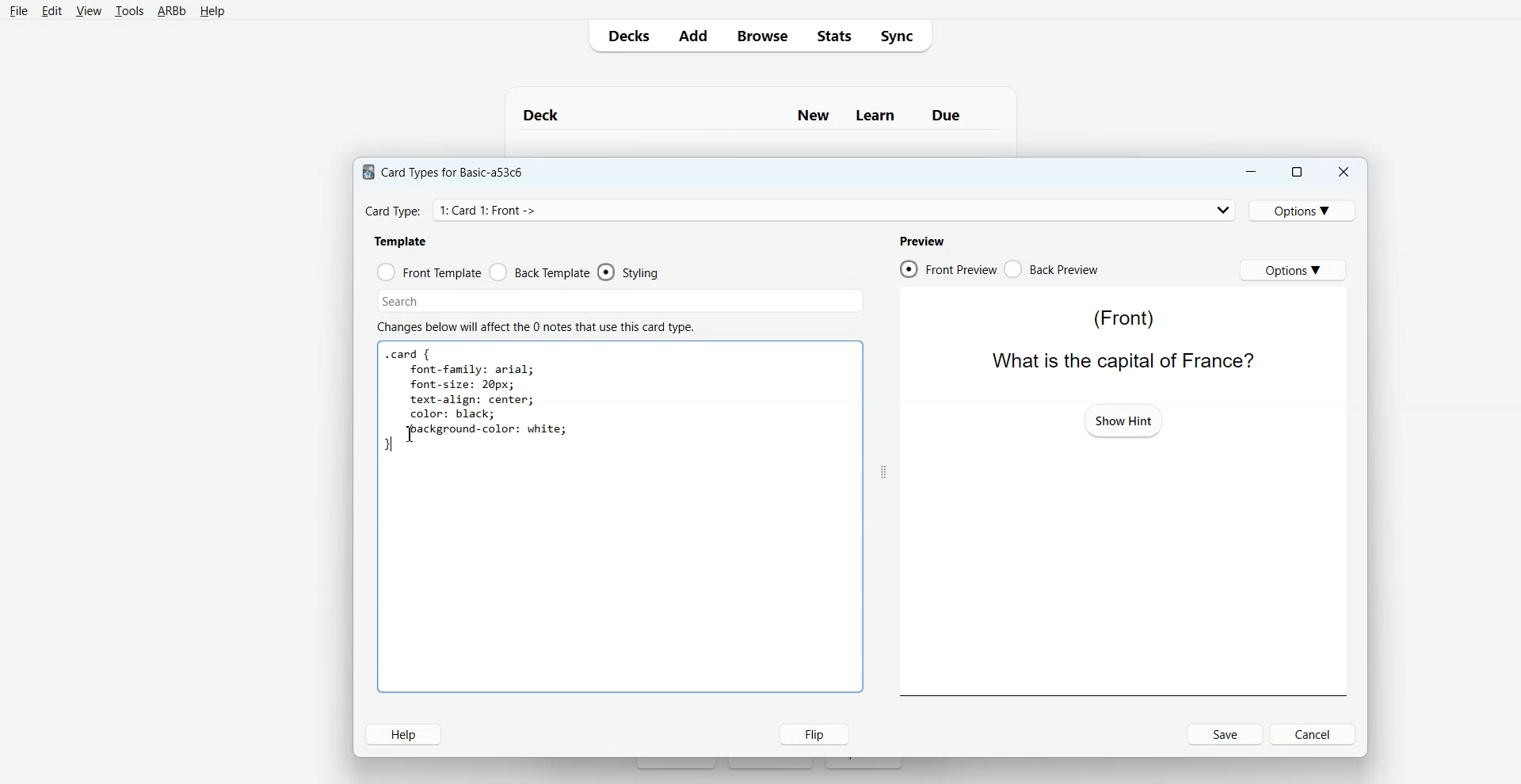 This screenshot has width=1521, height=784. I want to click on Front Template, so click(429, 272).